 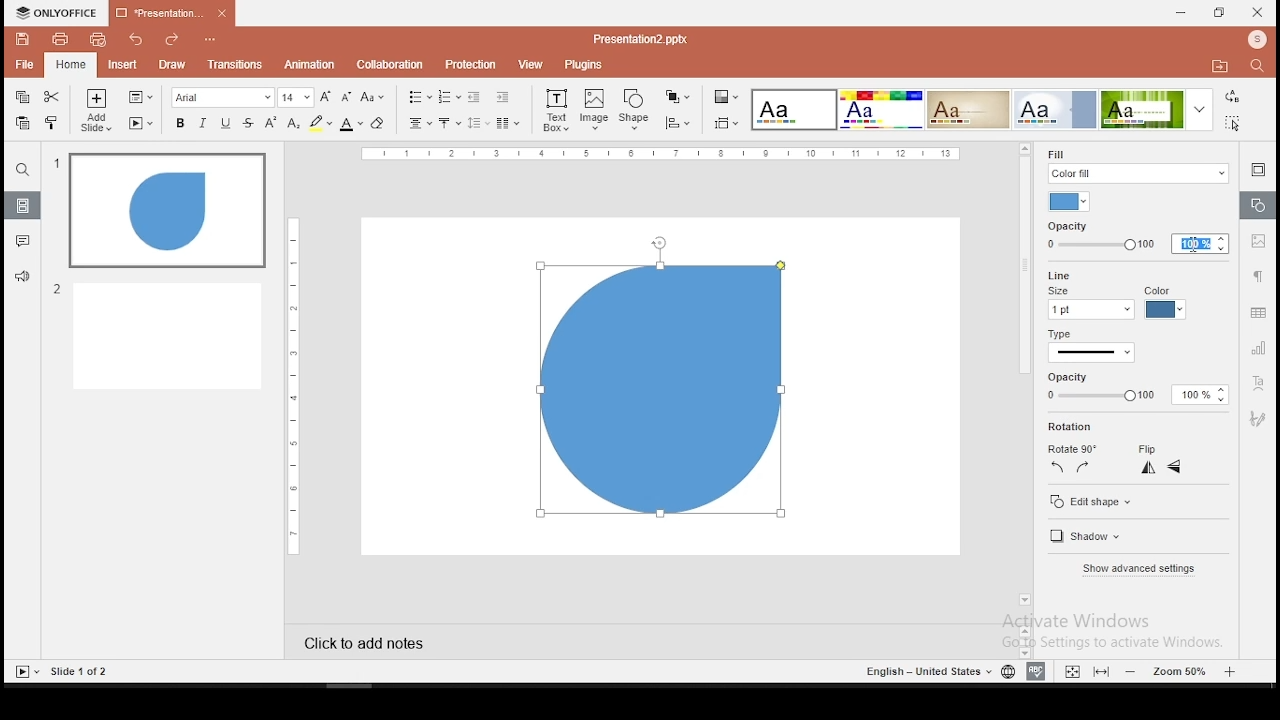 What do you see at coordinates (1056, 274) in the screenshot?
I see `line` at bounding box center [1056, 274].